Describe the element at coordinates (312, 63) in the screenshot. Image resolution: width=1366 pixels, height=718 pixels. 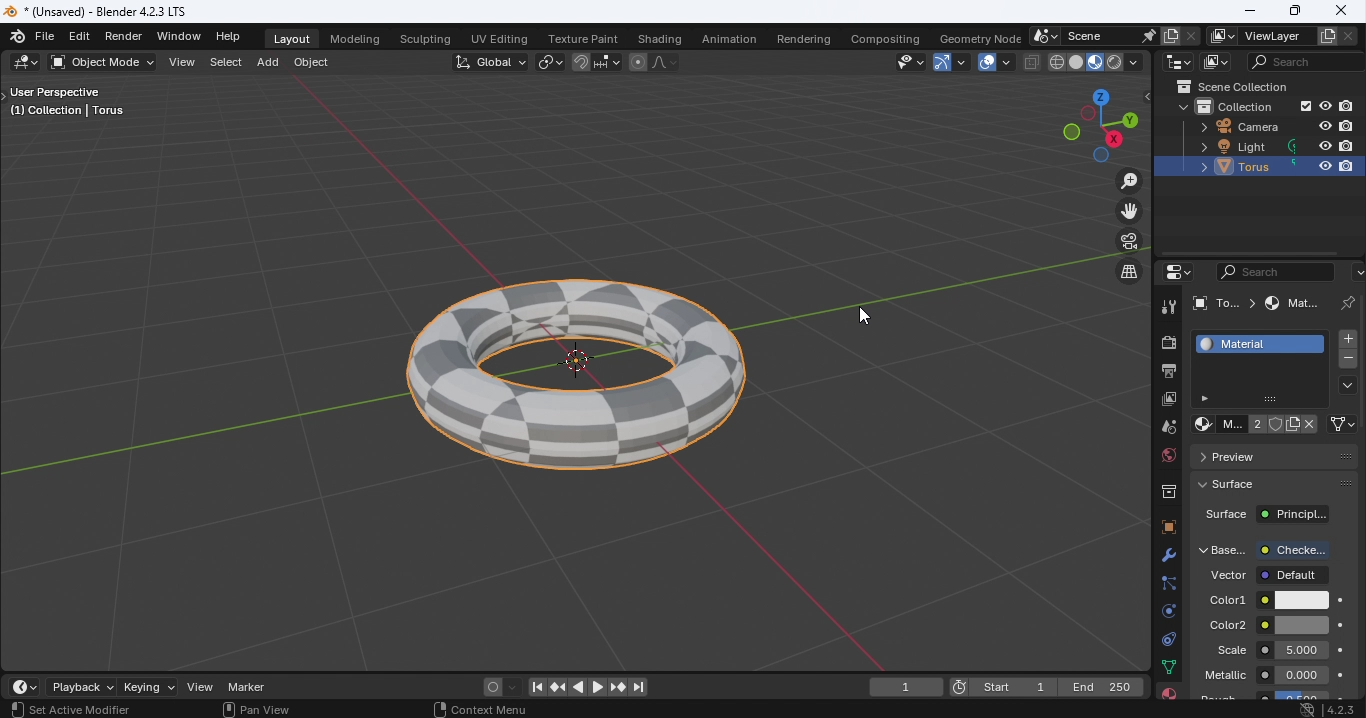
I see `Object` at that location.